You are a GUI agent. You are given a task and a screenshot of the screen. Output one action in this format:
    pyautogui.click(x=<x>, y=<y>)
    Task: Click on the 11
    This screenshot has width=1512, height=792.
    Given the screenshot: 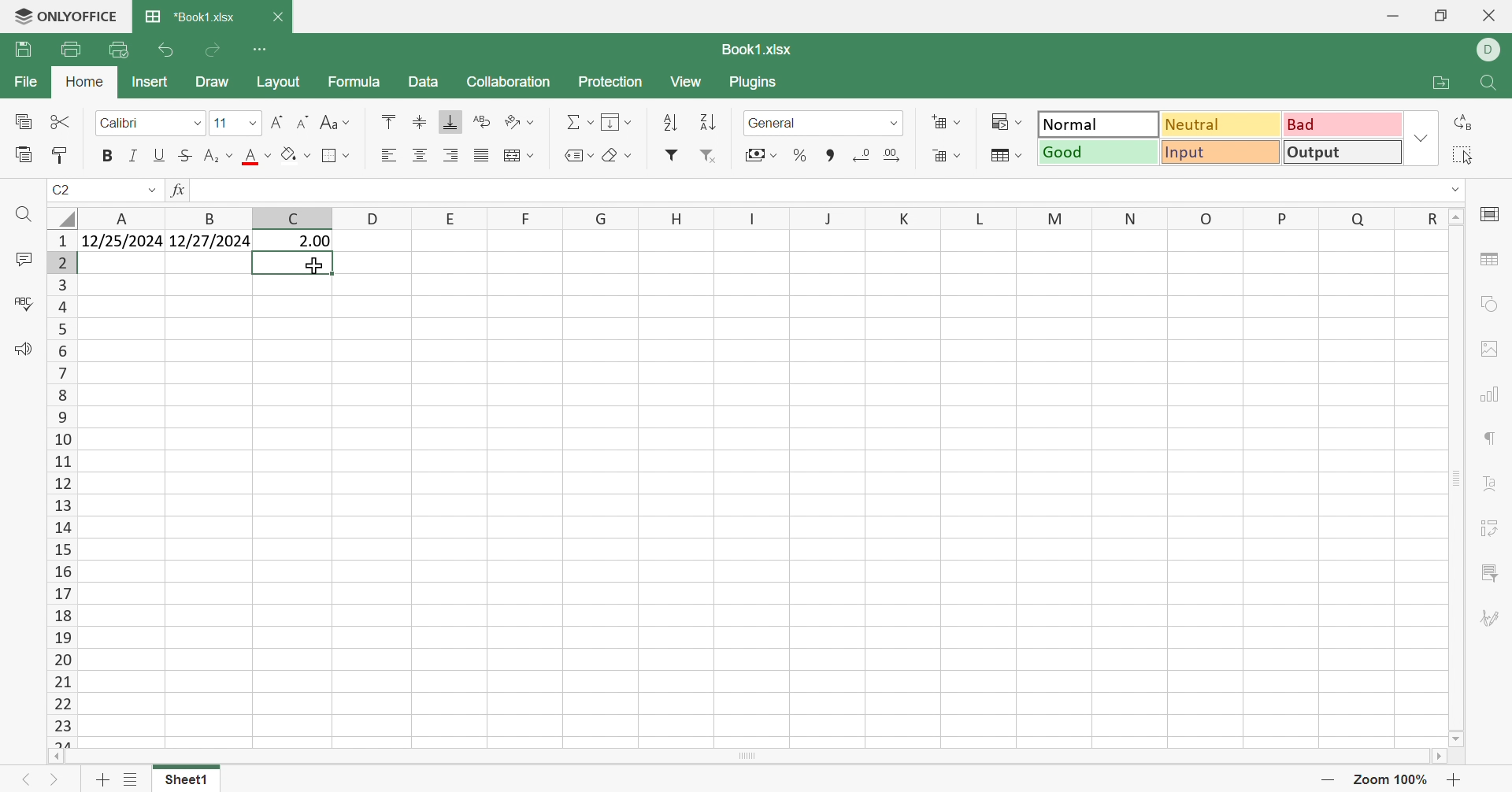 What is the action you would take?
    pyautogui.click(x=220, y=123)
    